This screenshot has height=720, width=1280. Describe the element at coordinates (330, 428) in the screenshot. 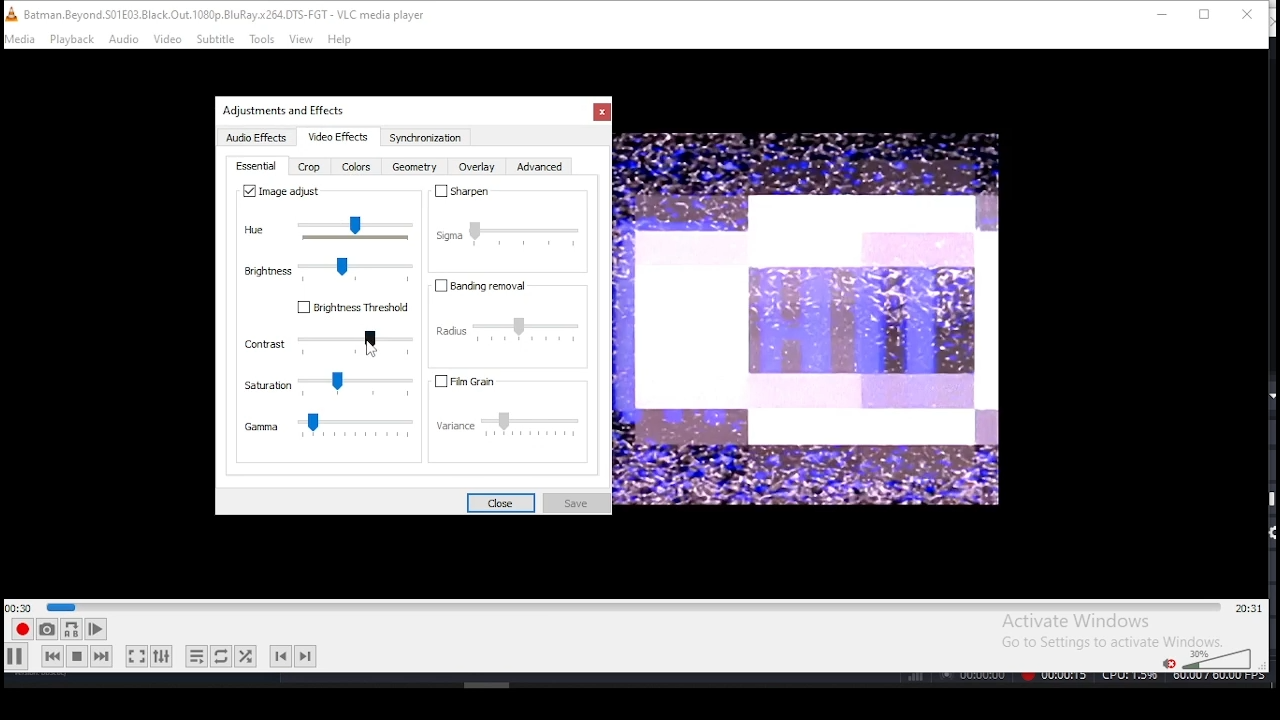

I see `gamma` at that location.